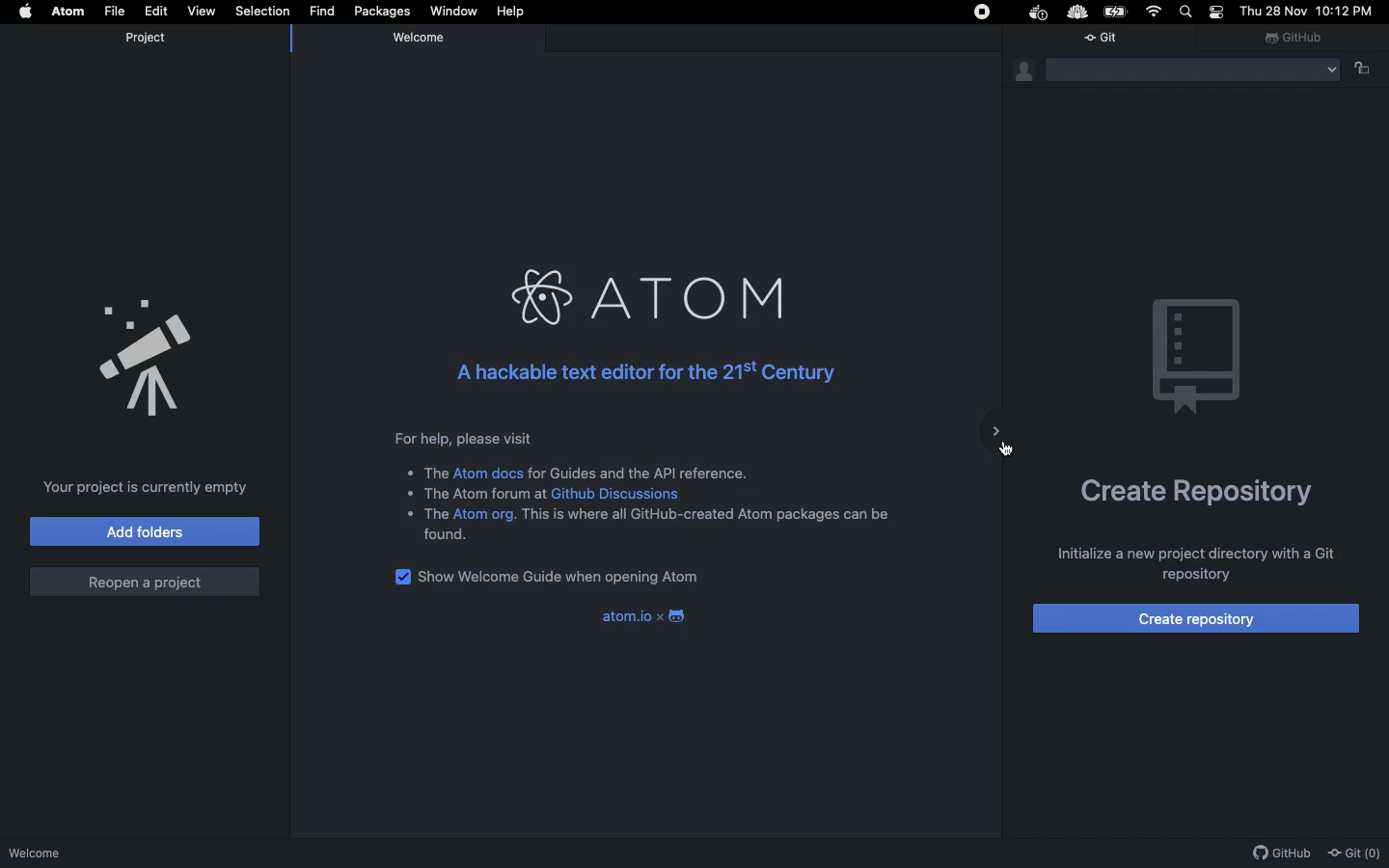  I want to click on Search, so click(1188, 13).